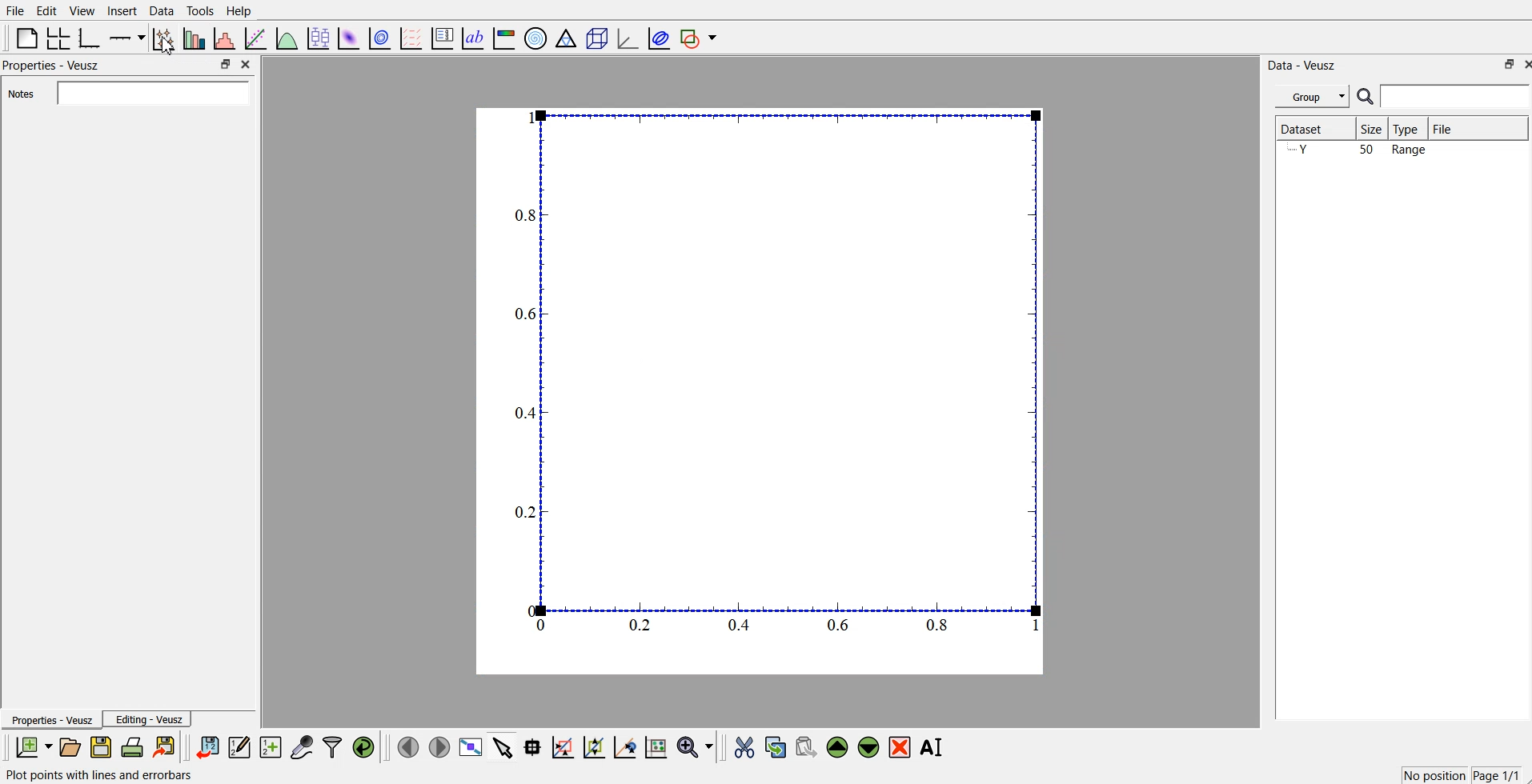 This screenshot has height=784, width=1532. I want to click on Dataset, so click(1307, 126).